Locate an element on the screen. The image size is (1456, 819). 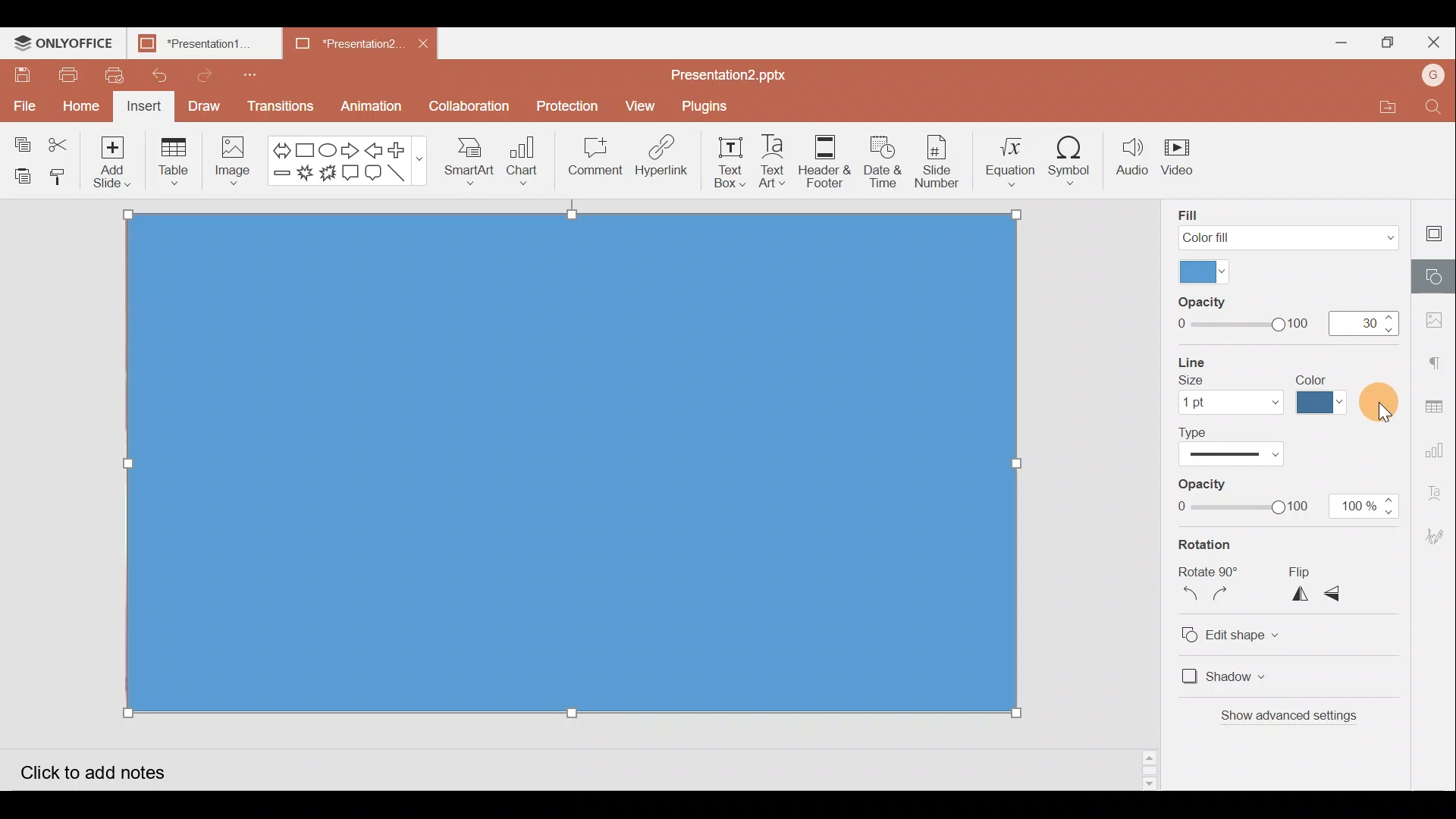
Date & time is located at coordinates (883, 161).